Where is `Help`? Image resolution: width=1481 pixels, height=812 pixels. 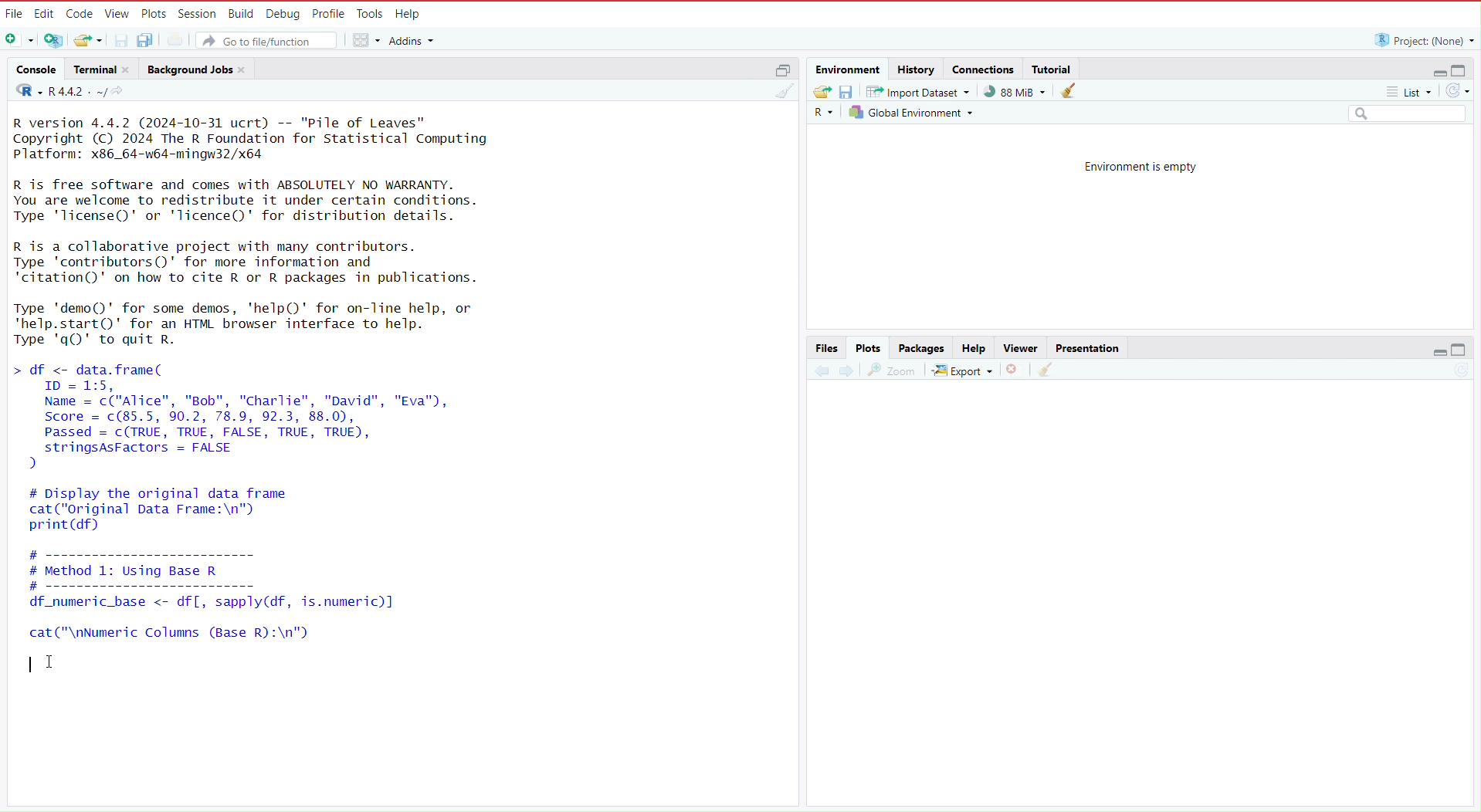
Help is located at coordinates (409, 12).